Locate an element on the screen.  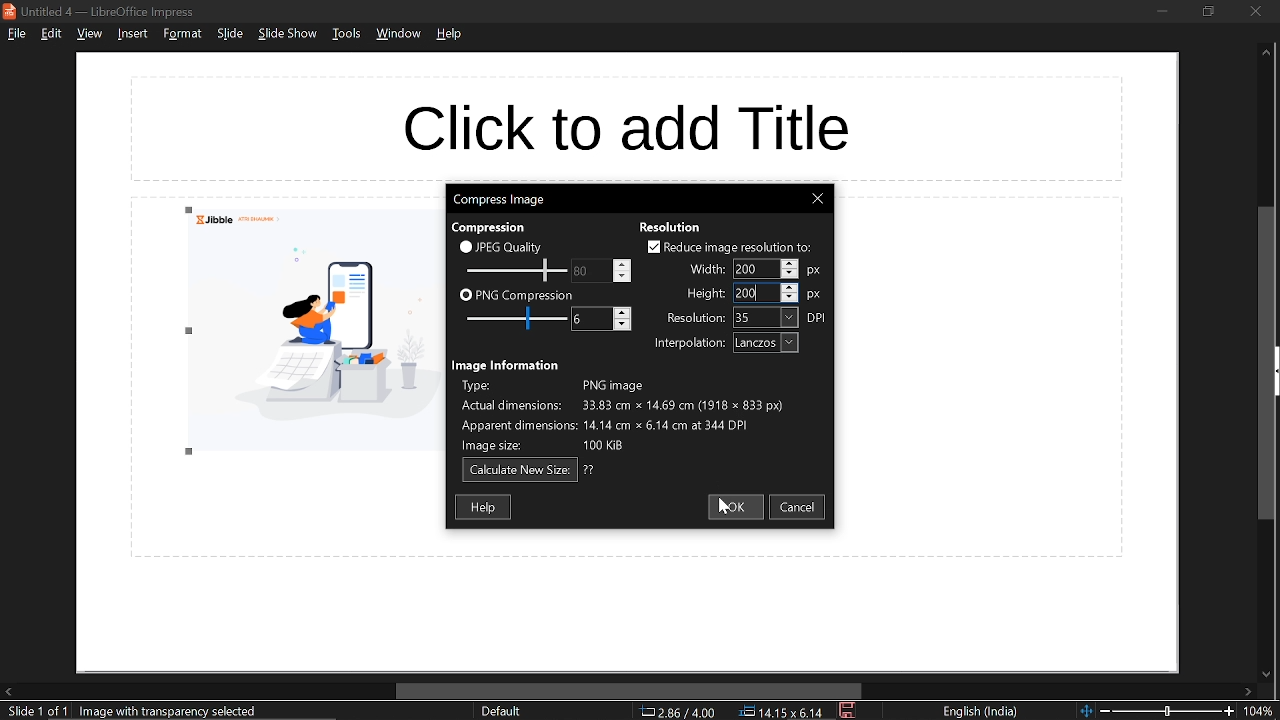
PNG compression scale is located at coordinates (589, 271).